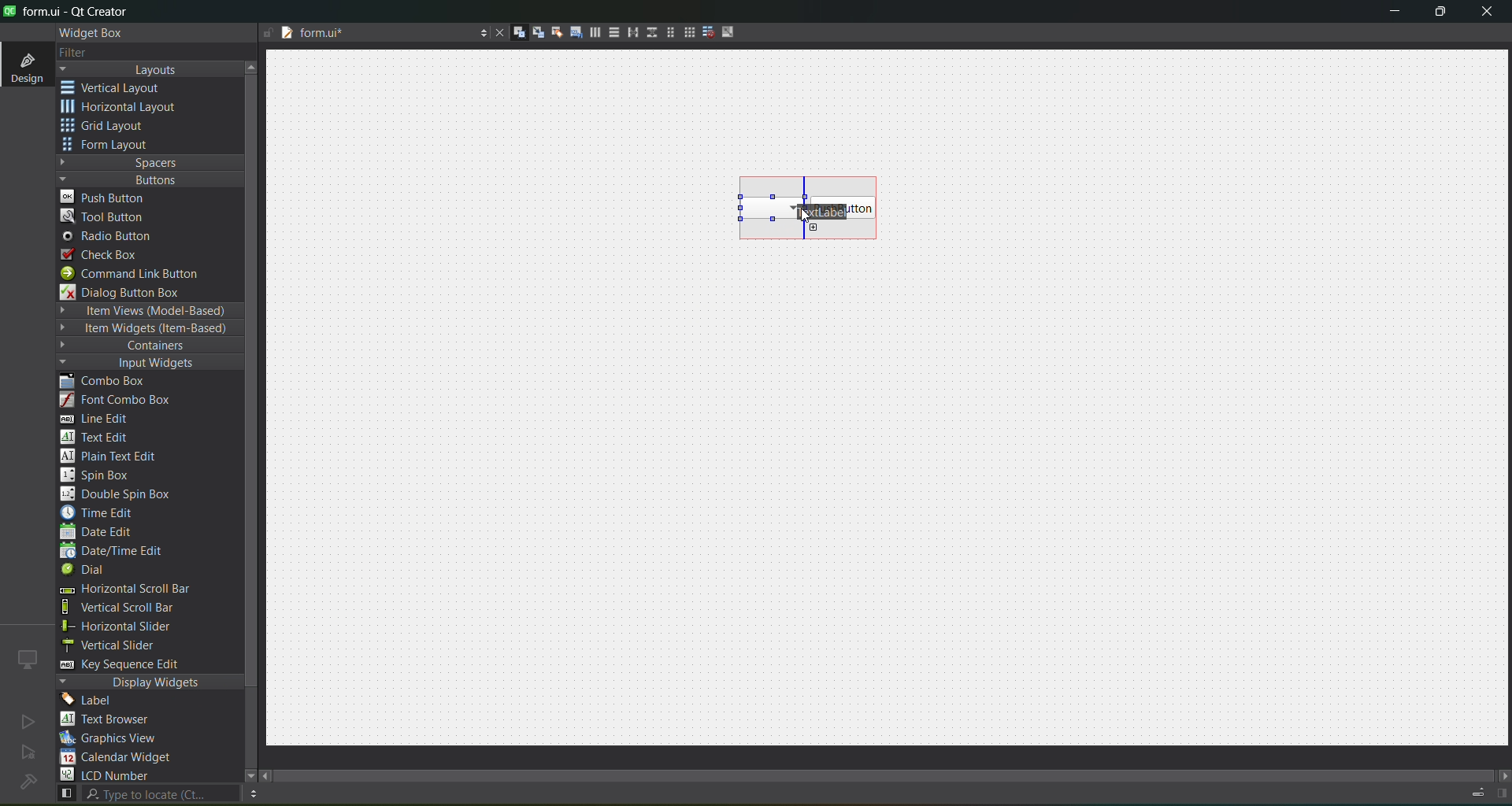  Describe the element at coordinates (650, 35) in the screenshot. I see `vertical splitter` at that location.